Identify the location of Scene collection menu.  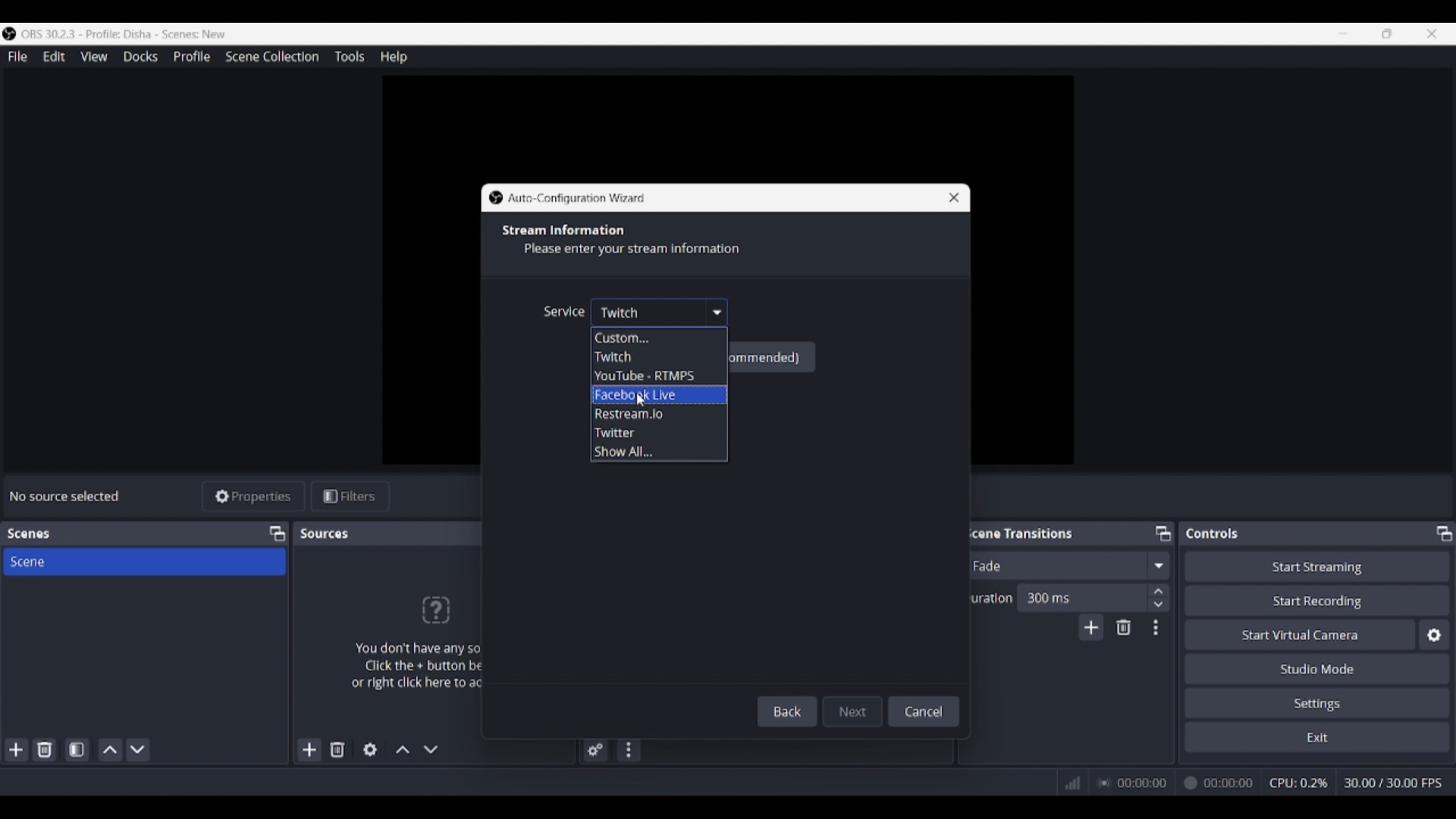
(271, 56).